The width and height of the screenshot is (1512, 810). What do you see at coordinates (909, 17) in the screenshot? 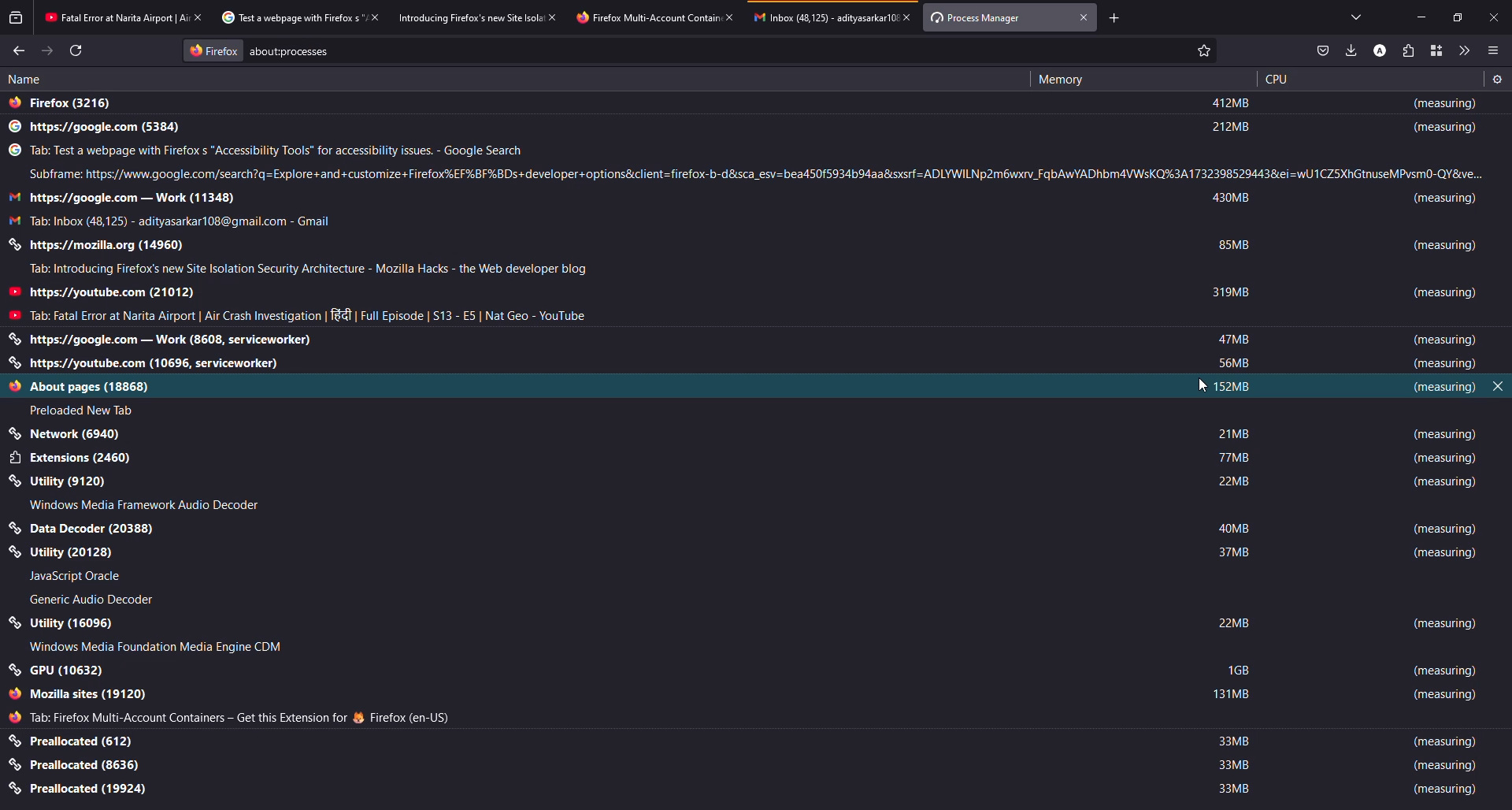
I see `close` at bounding box center [909, 17].